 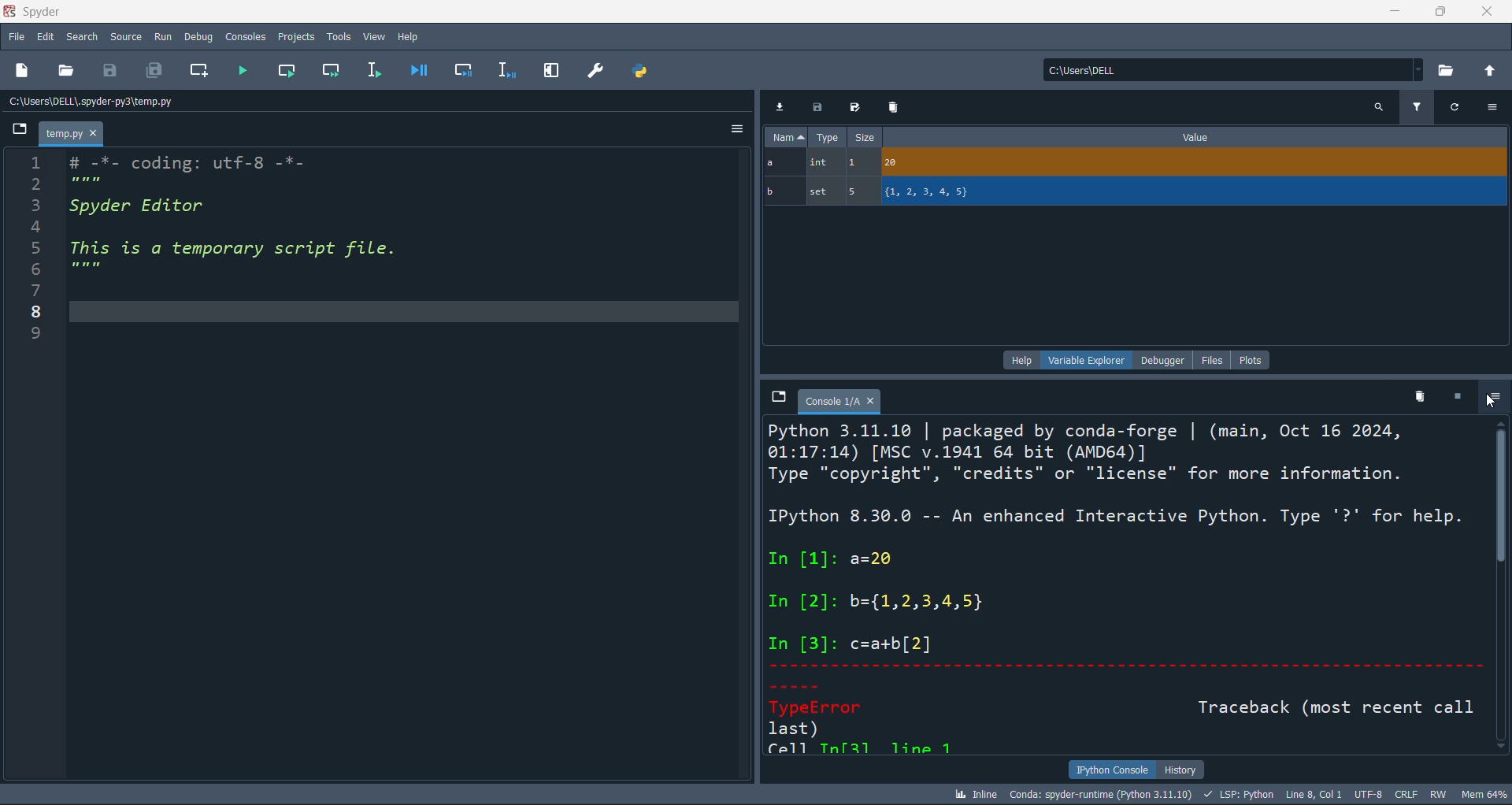 I want to click on python path manager, so click(x=643, y=70).